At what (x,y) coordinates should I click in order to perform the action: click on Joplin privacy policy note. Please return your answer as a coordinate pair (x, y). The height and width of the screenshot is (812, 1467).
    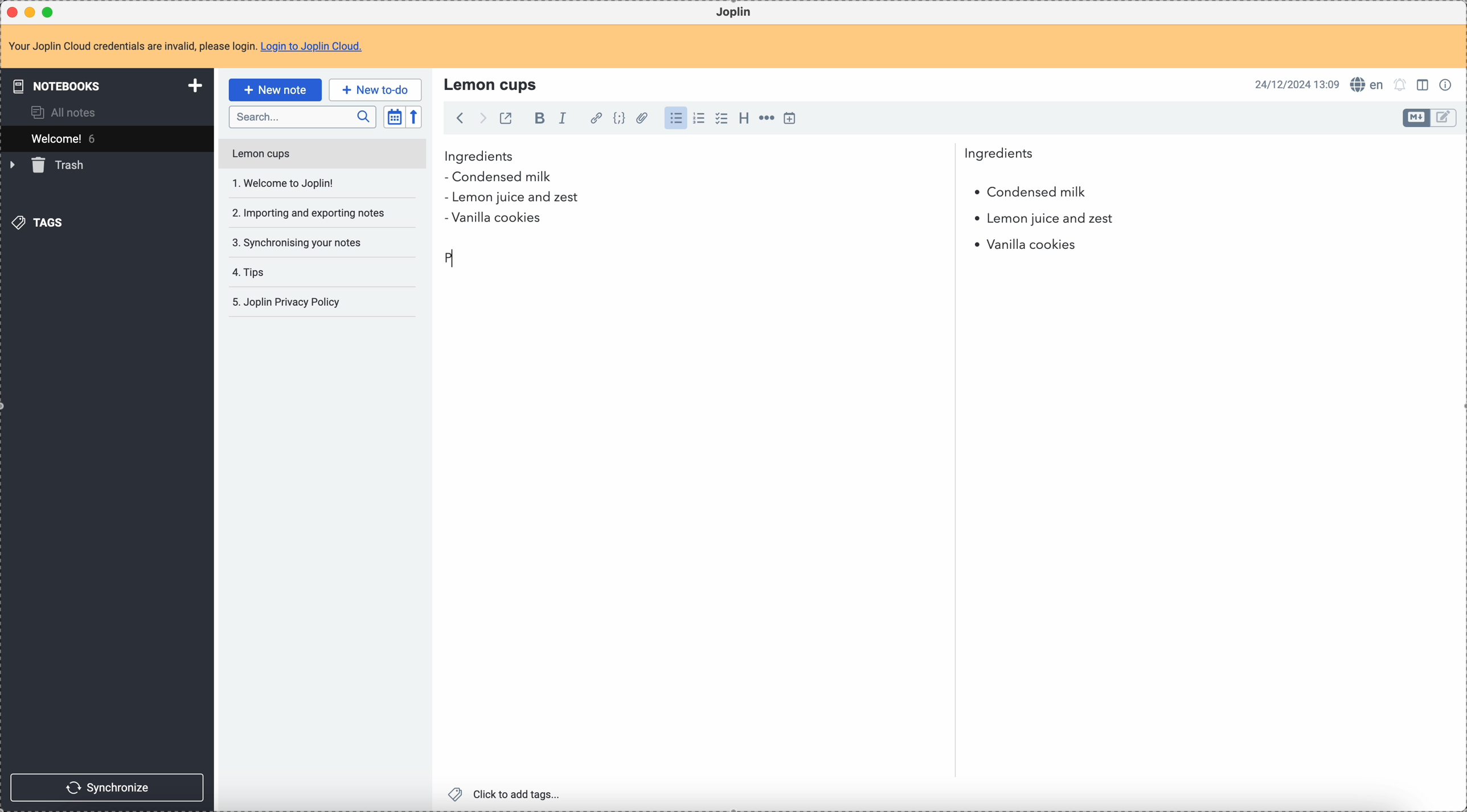
    Looking at the image, I should click on (289, 302).